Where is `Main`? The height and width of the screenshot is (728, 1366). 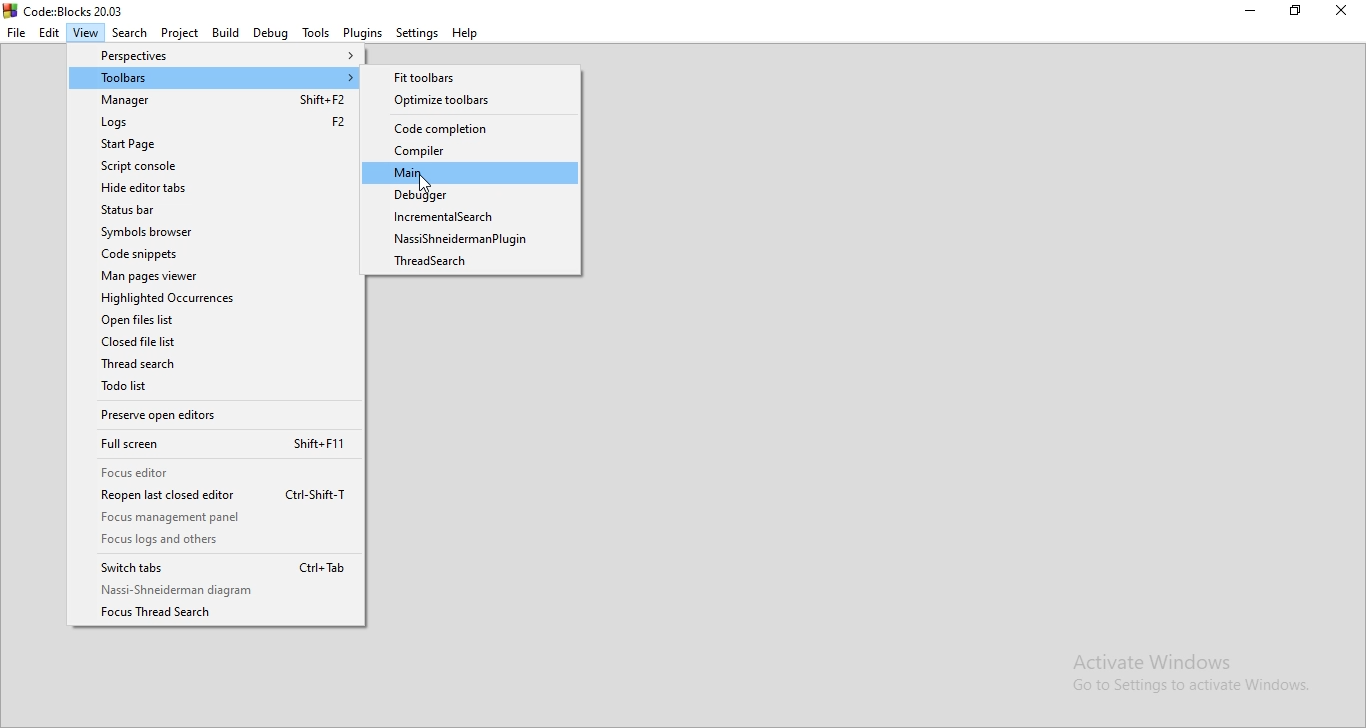 Main is located at coordinates (470, 172).